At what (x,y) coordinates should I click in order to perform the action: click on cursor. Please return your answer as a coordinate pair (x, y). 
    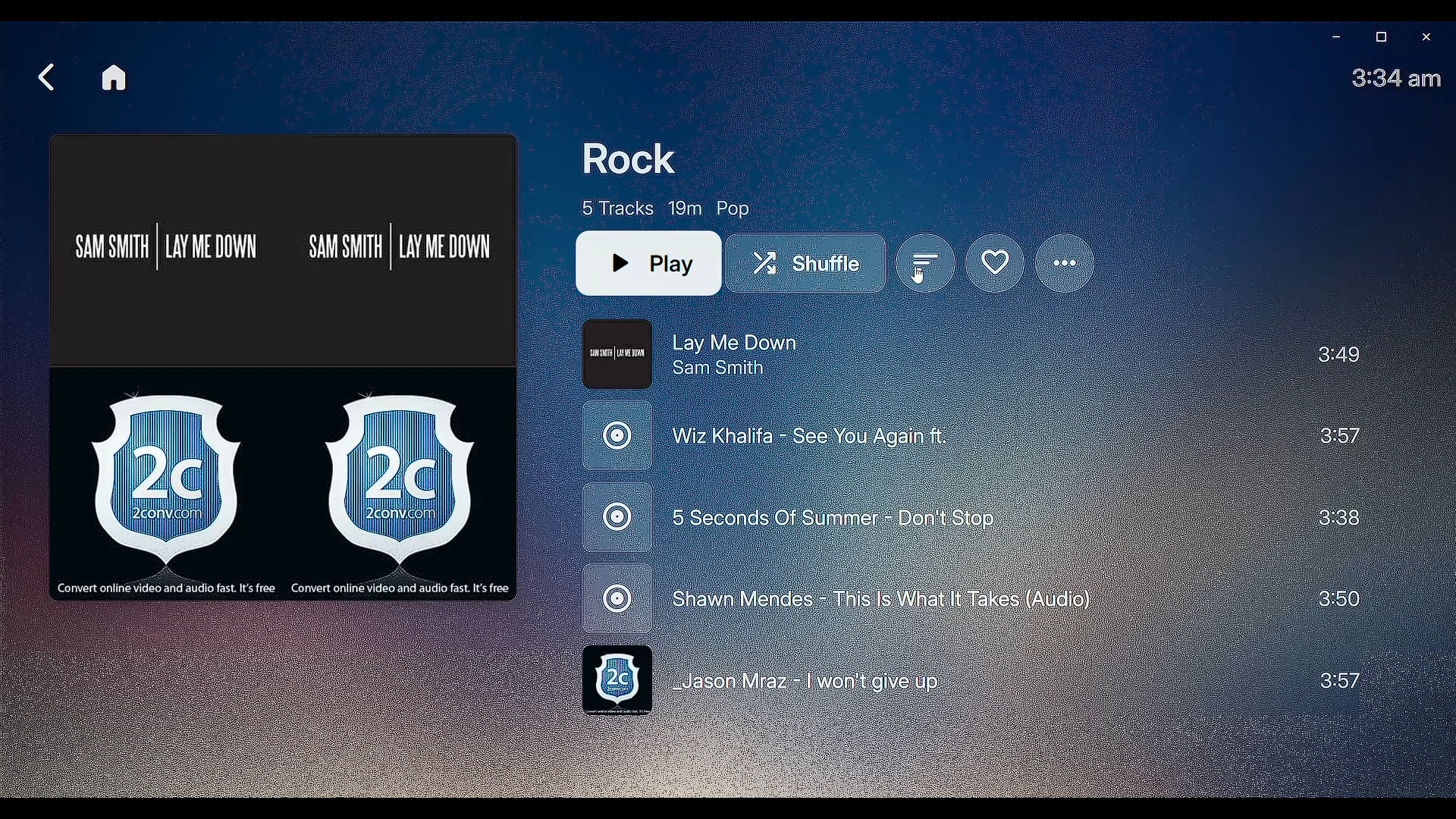
    Looking at the image, I should click on (924, 277).